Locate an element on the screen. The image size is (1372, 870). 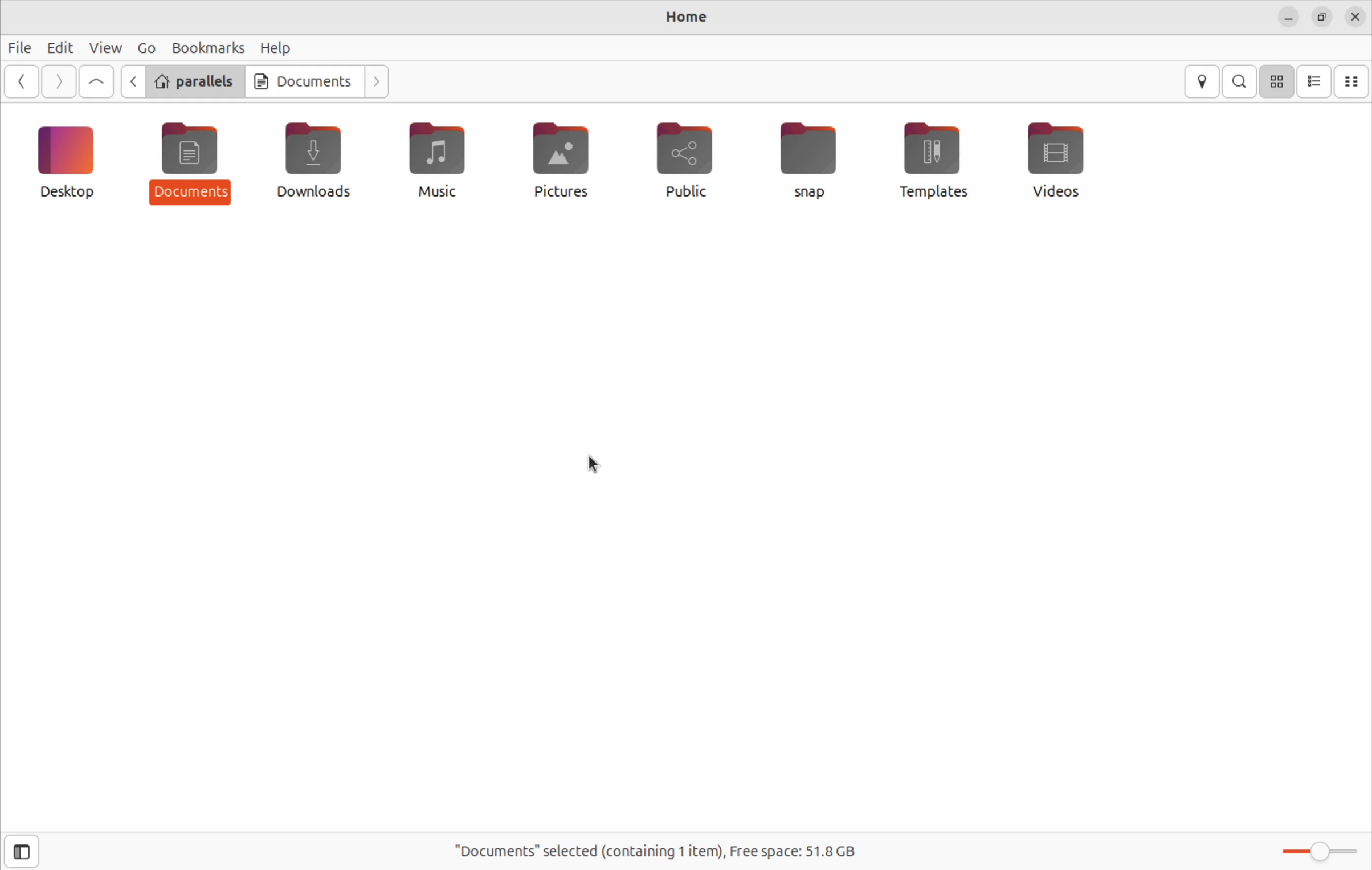
go back is located at coordinates (23, 81).